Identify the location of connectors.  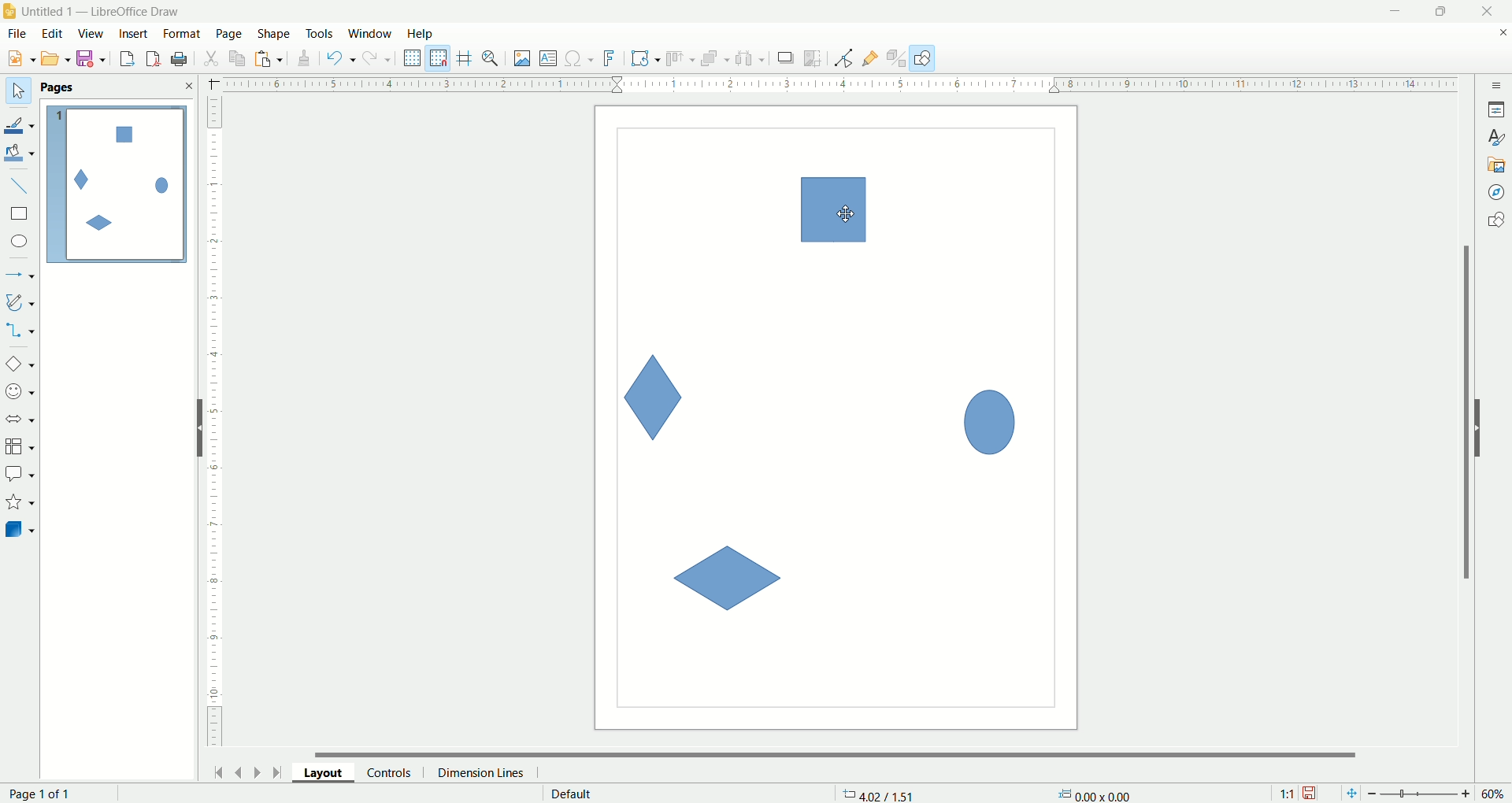
(20, 330).